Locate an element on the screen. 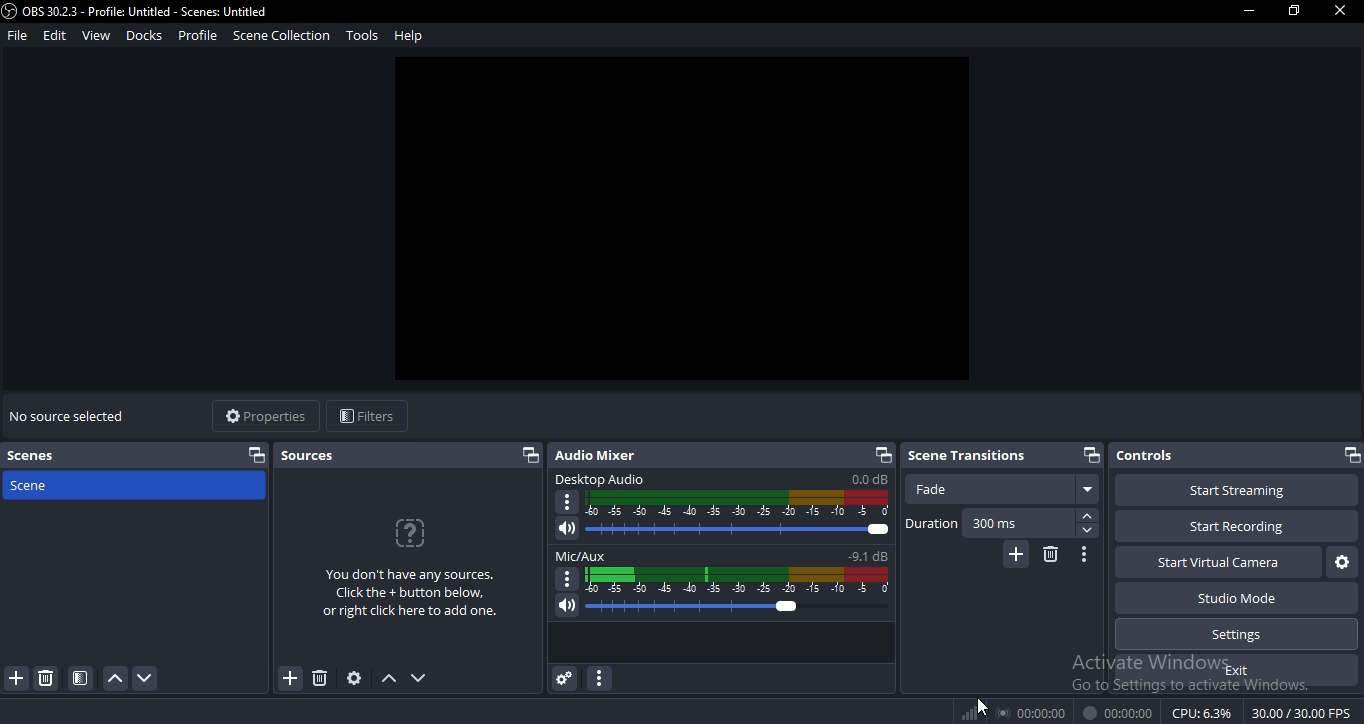 Image resolution: width=1364 pixels, height=724 pixels. exit is located at coordinates (1242, 670).